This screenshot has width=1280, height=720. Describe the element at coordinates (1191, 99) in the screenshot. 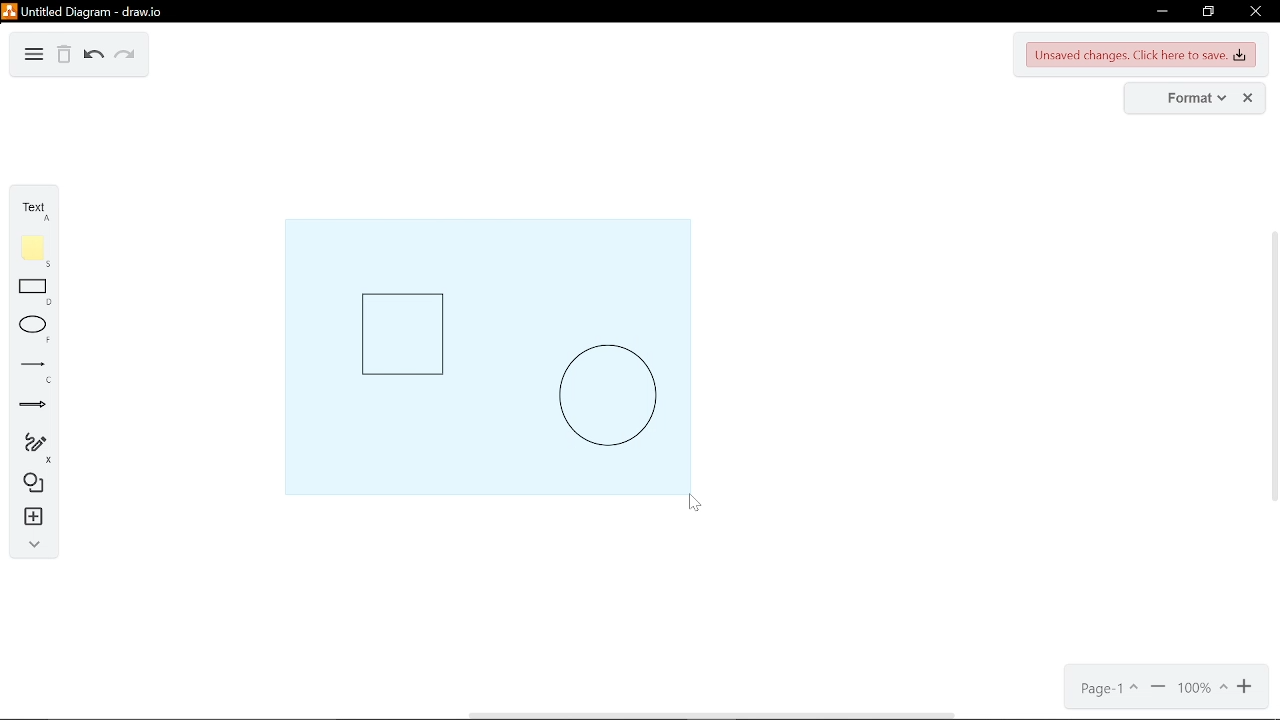

I see `format` at that location.